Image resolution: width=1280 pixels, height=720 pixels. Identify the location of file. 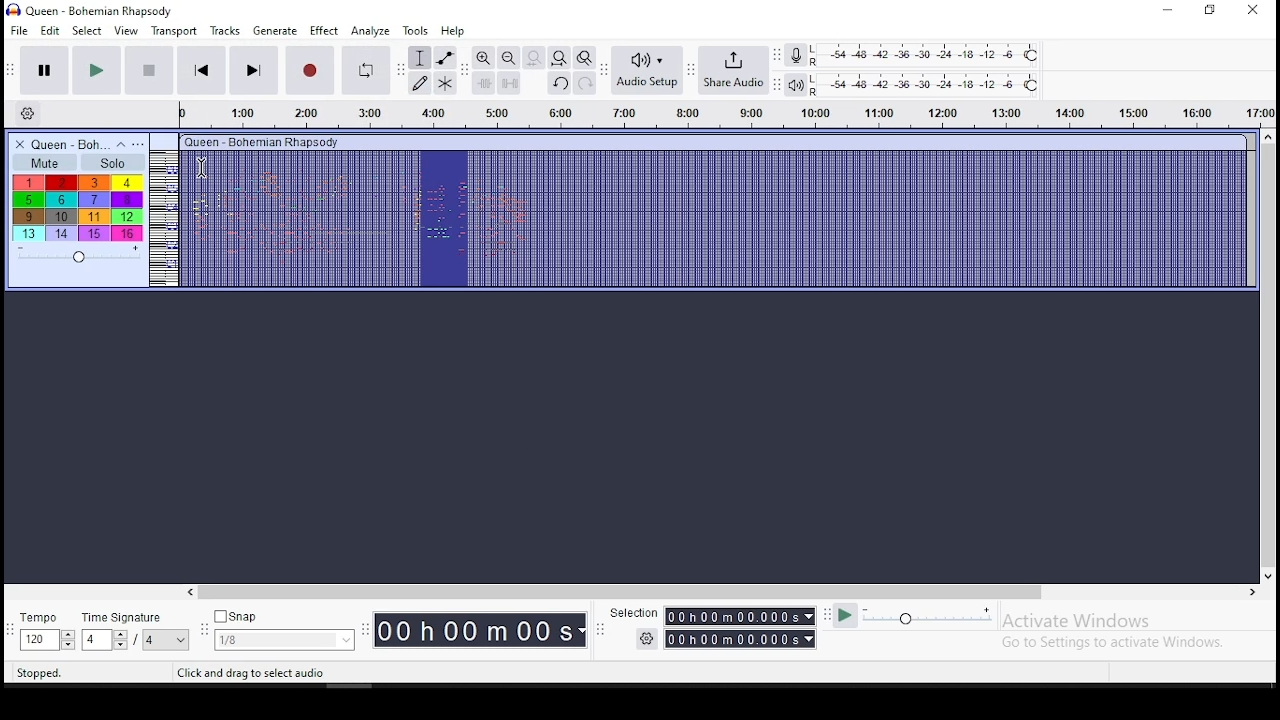
(16, 30).